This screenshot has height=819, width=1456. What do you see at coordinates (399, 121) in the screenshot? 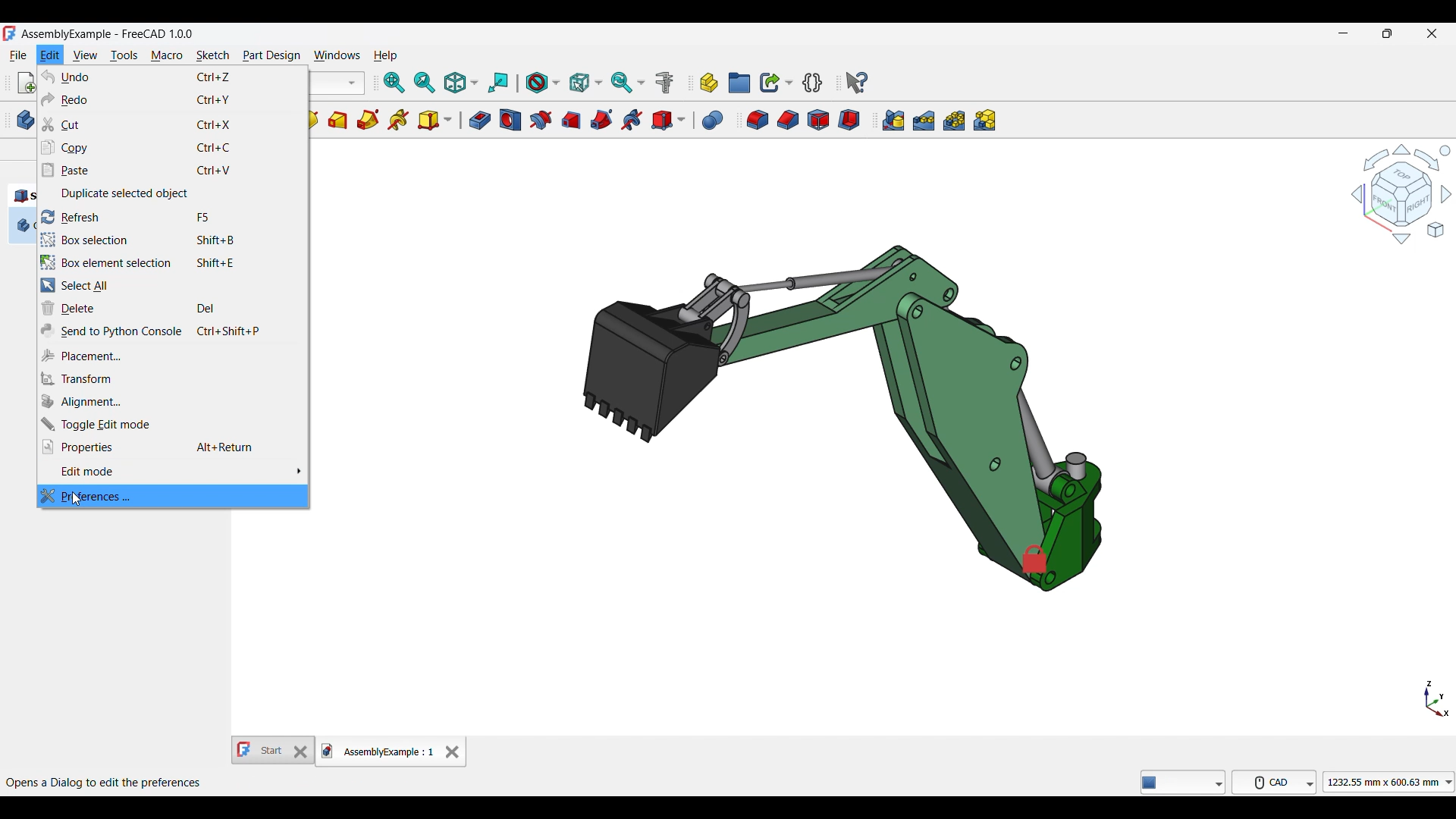
I see `Additive helix` at bounding box center [399, 121].